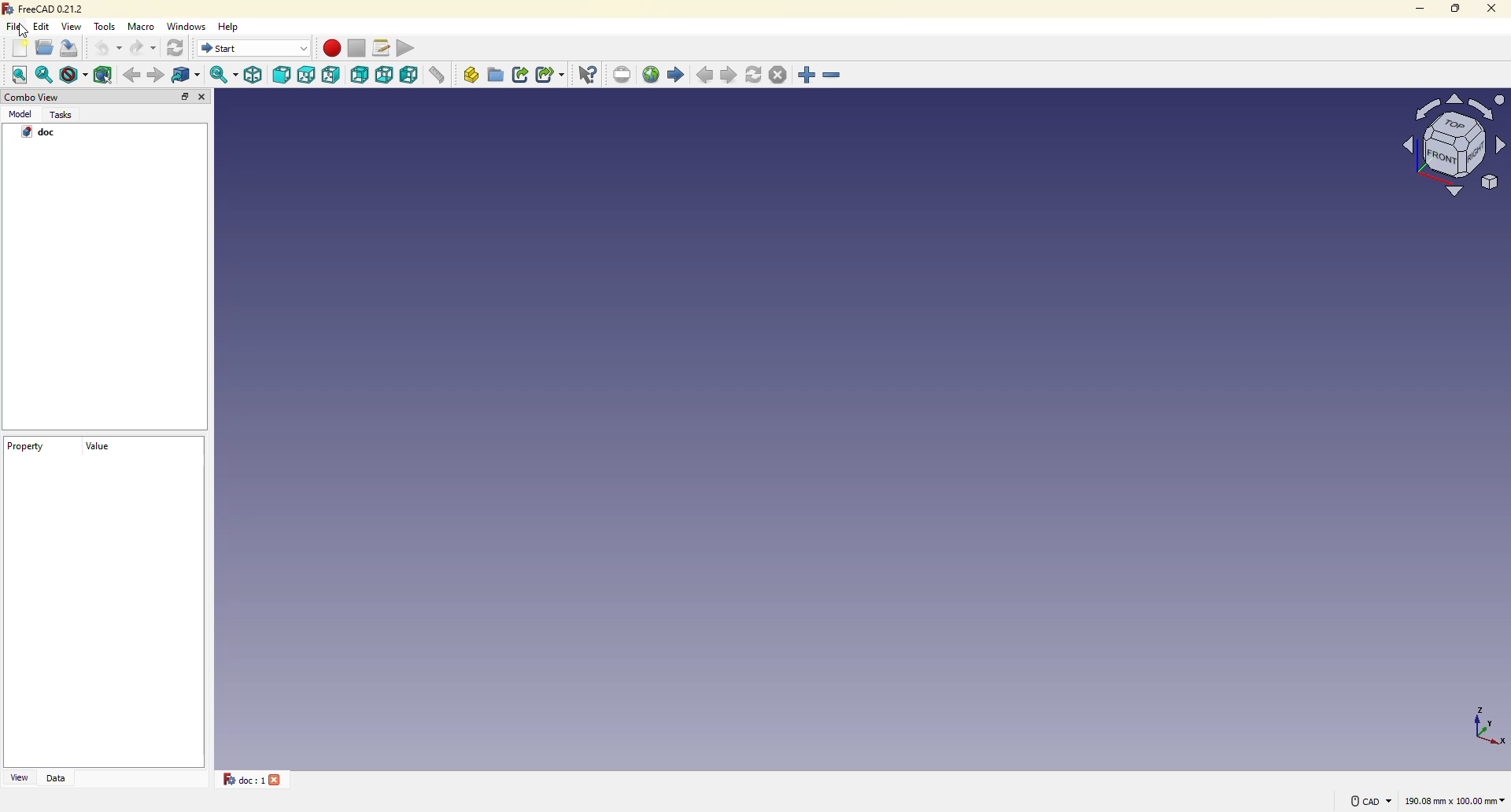  What do you see at coordinates (20, 49) in the screenshot?
I see `new` at bounding box center [20, 49].